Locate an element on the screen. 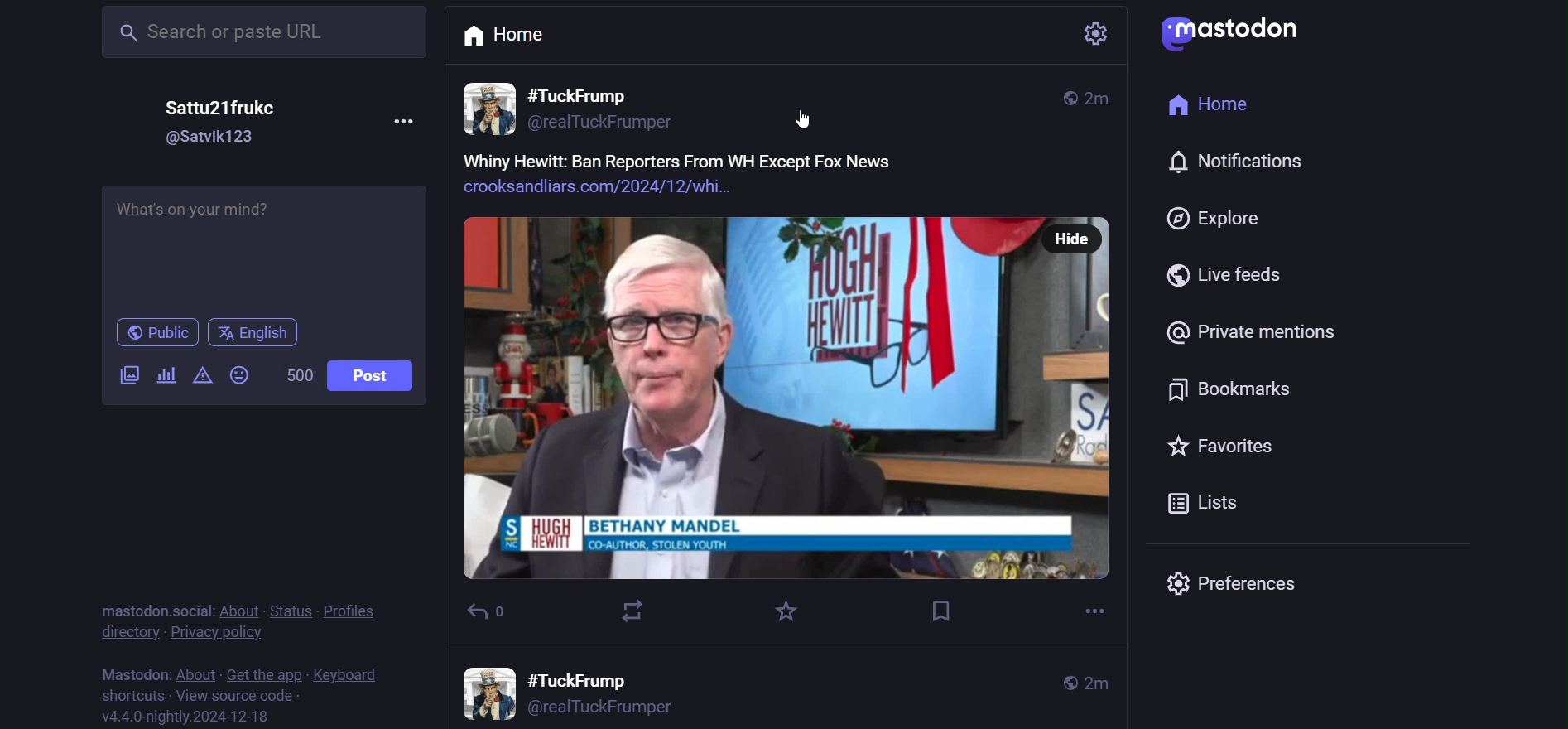  boost is located at coordinates (638, 608).